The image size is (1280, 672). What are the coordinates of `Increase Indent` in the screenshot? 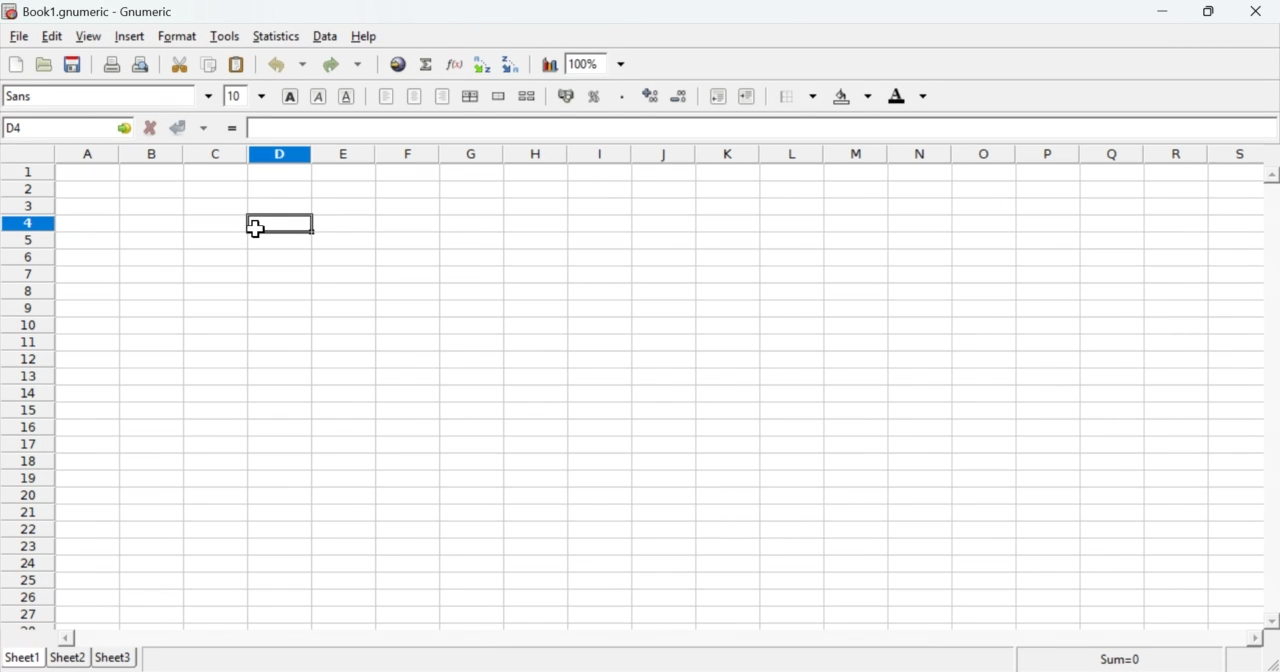 It's located at (747, 95).